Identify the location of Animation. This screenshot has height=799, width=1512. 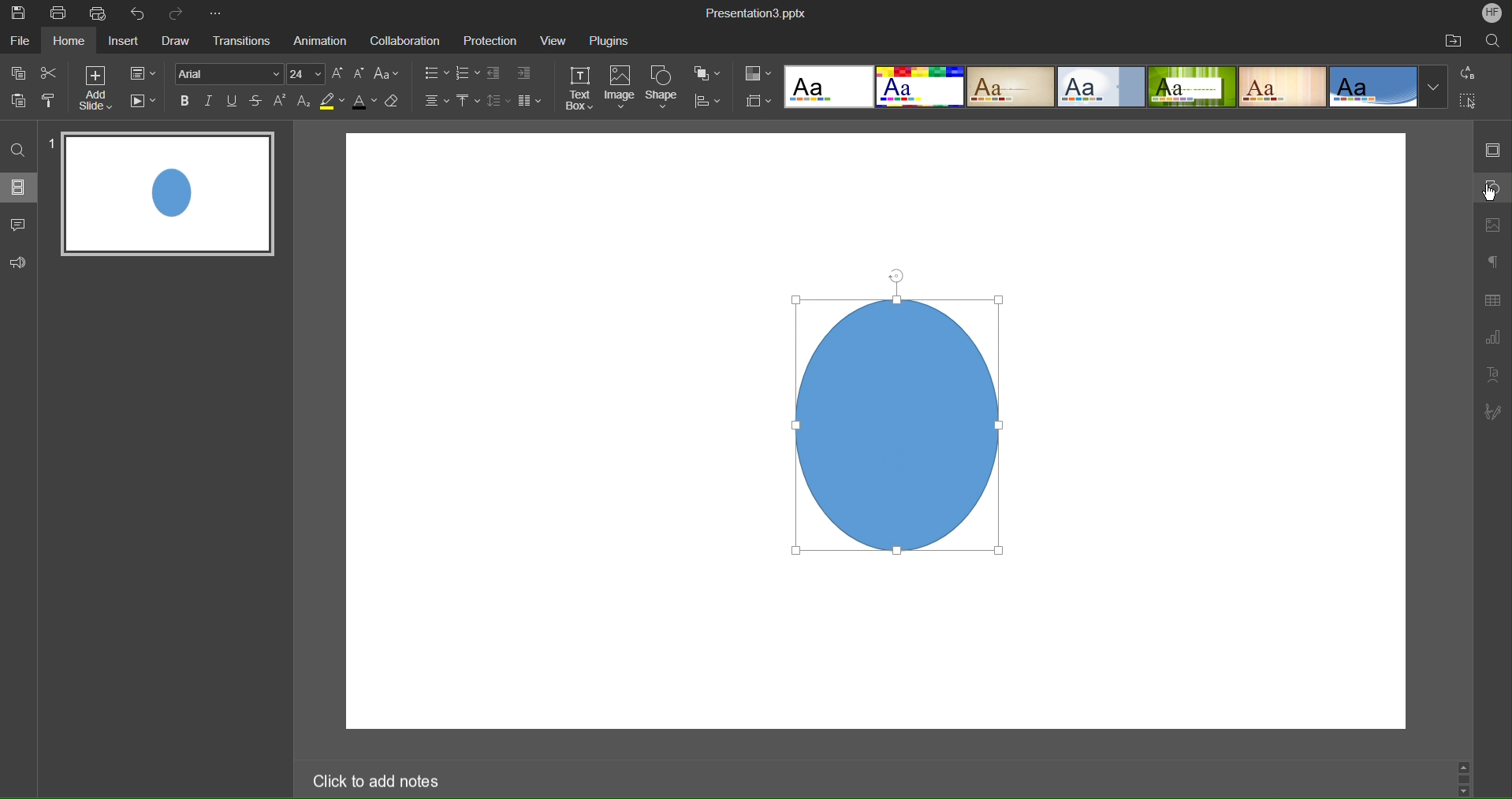
(318, 41).